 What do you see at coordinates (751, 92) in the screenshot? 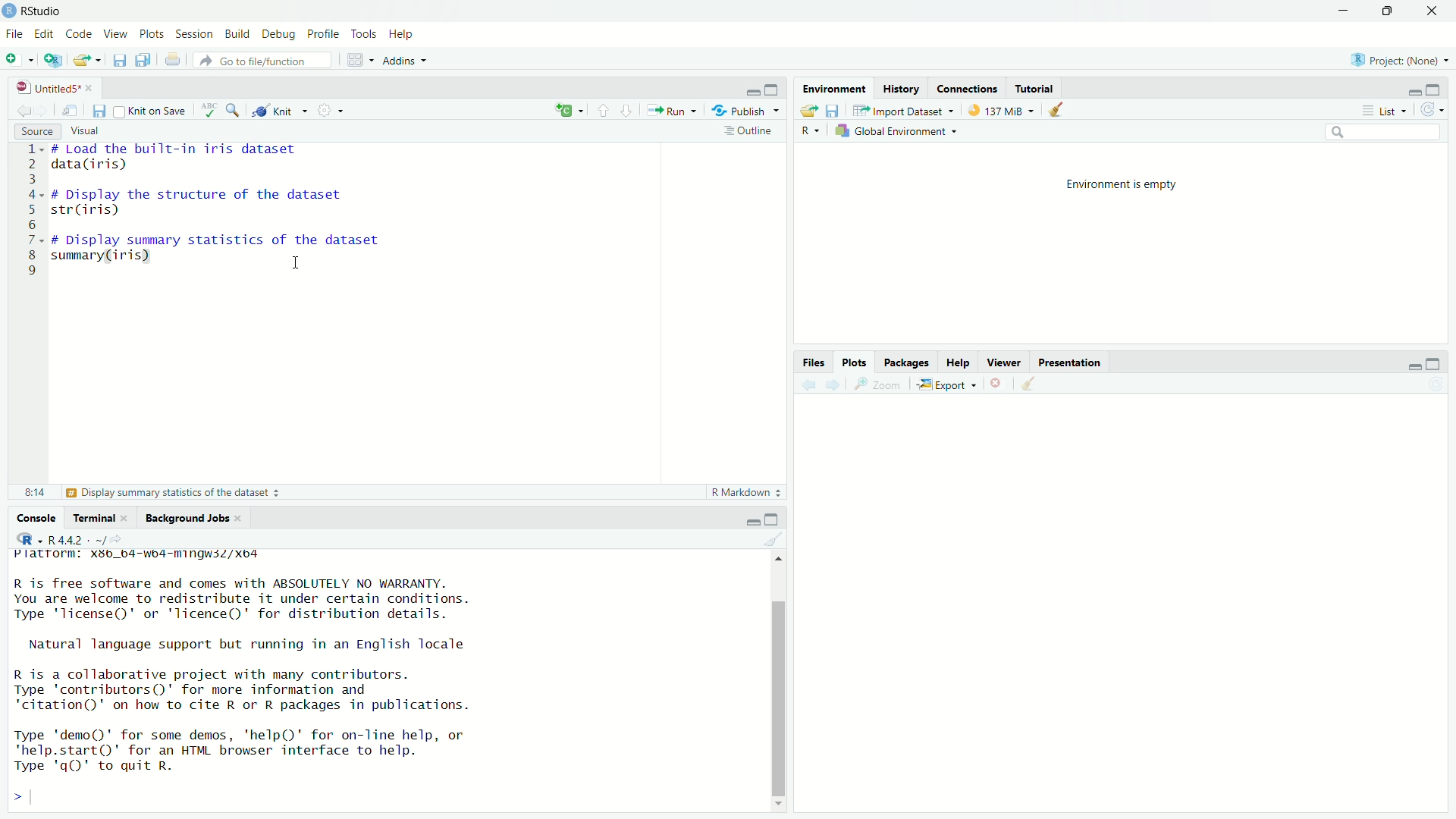
I see `Hide` at bounding box center [751, 92].